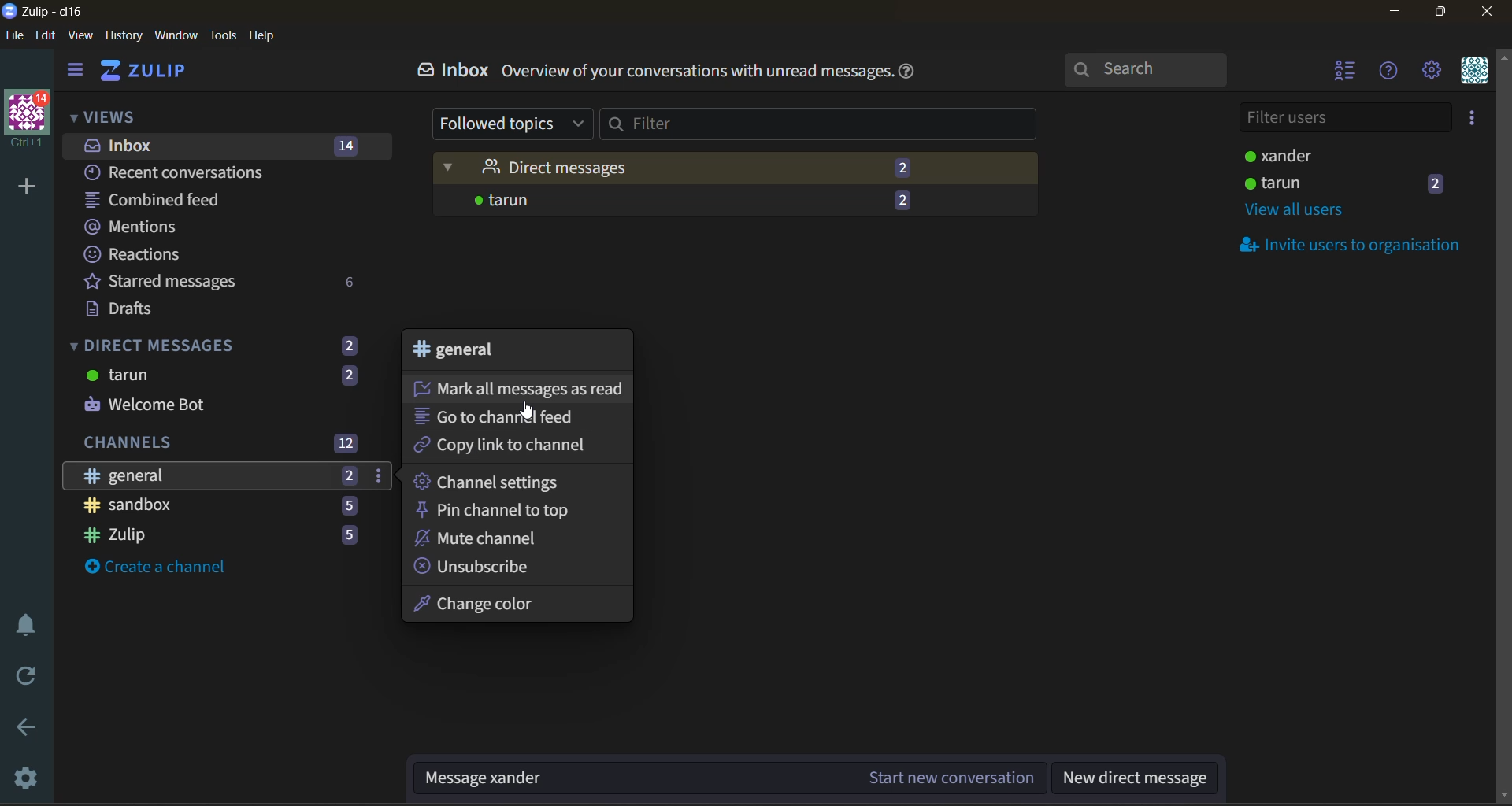 This screenshot has height=806, width=1512. Describe the element at coordinates (1136, 779) in the screenshot. I see `new direct message` at that location.